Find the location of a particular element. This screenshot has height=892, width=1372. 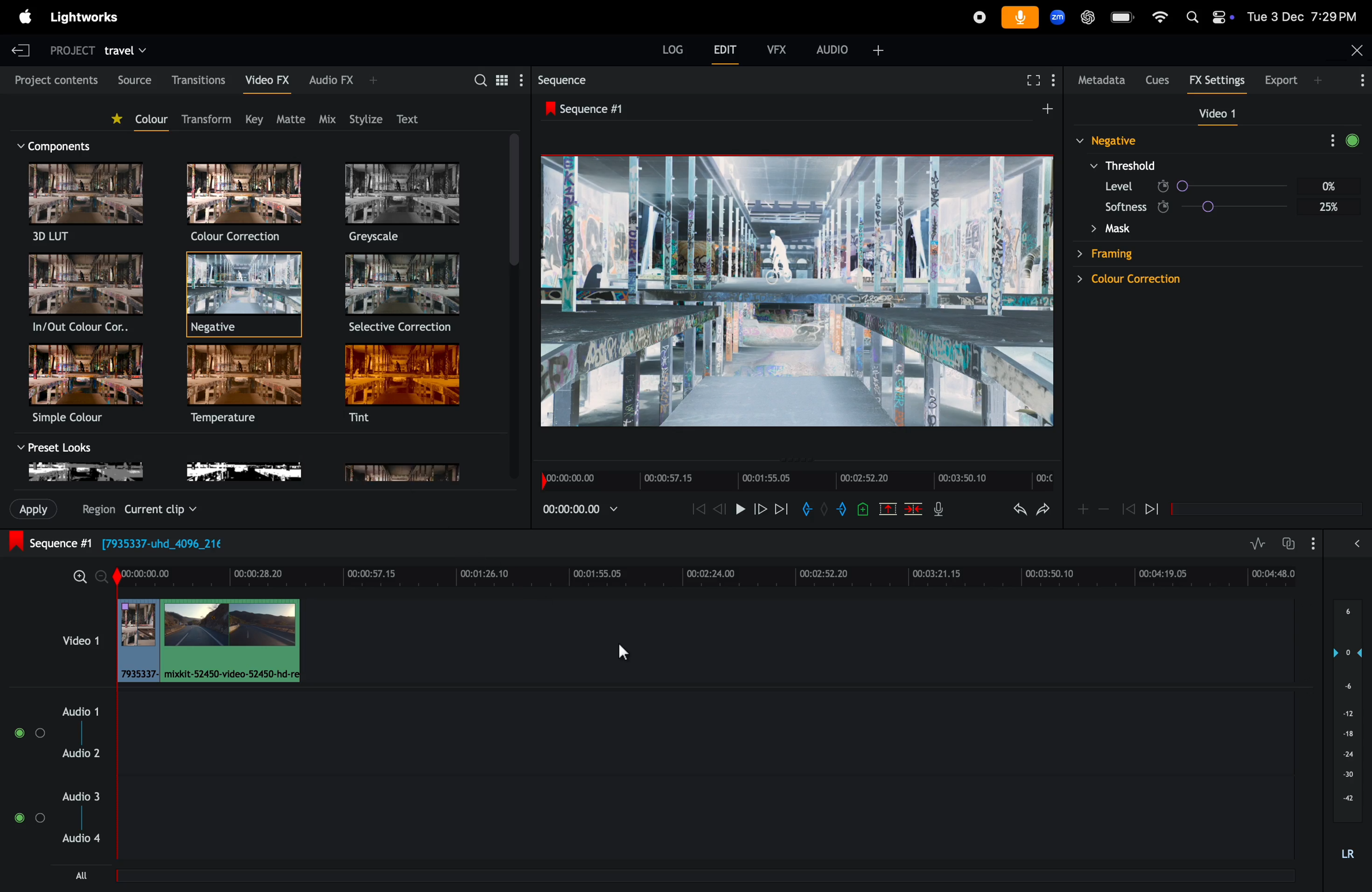

Selective correction is located at coordinates (404, 296).